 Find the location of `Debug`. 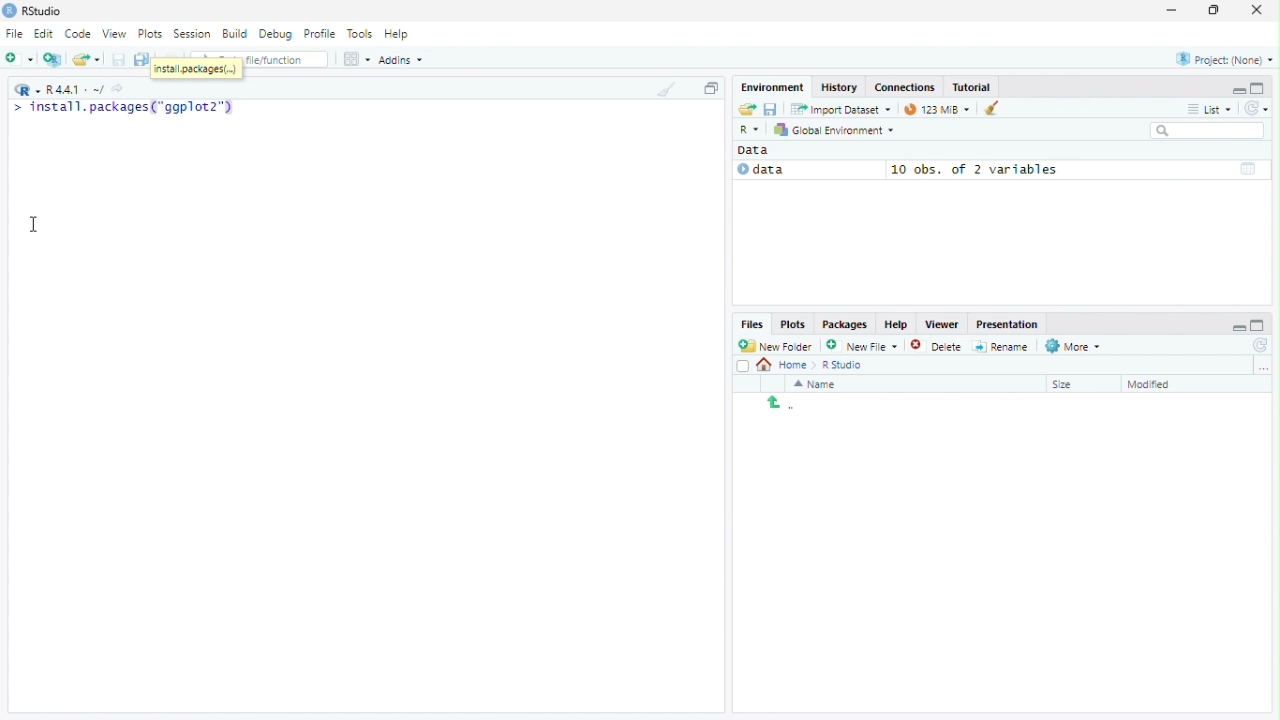

Debug is located at coordinates (278, 34).